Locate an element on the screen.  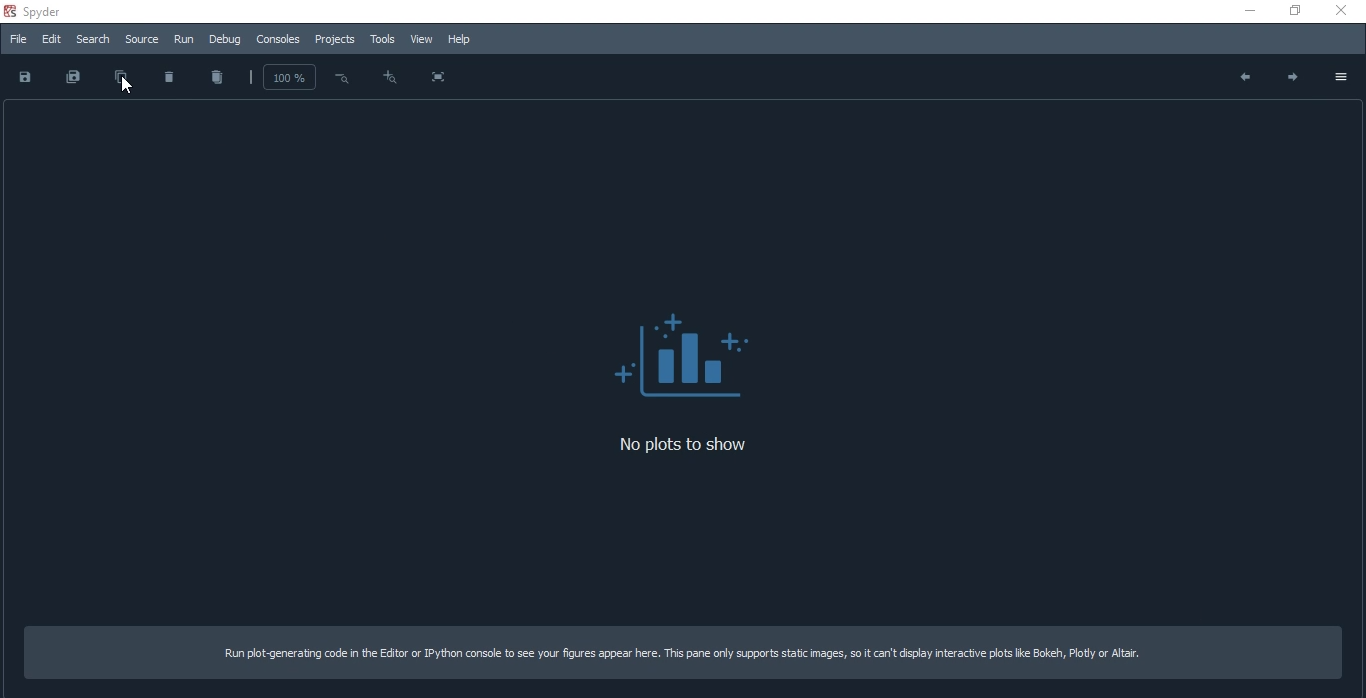
source is located at coordinates (144, 40).